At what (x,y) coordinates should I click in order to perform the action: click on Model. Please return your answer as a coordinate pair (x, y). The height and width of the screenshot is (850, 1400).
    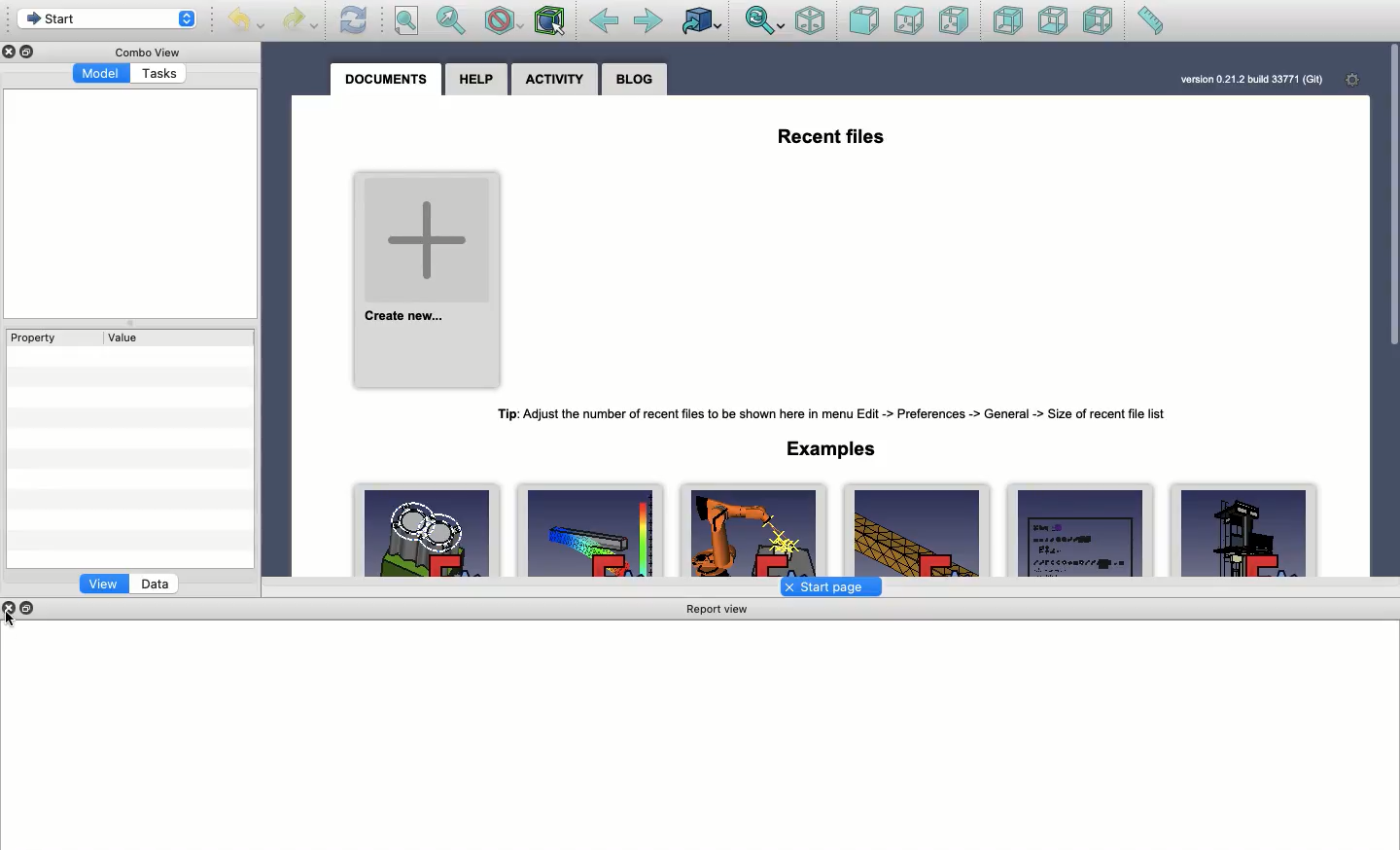
    Looking at the image, I should click on (98, 73).